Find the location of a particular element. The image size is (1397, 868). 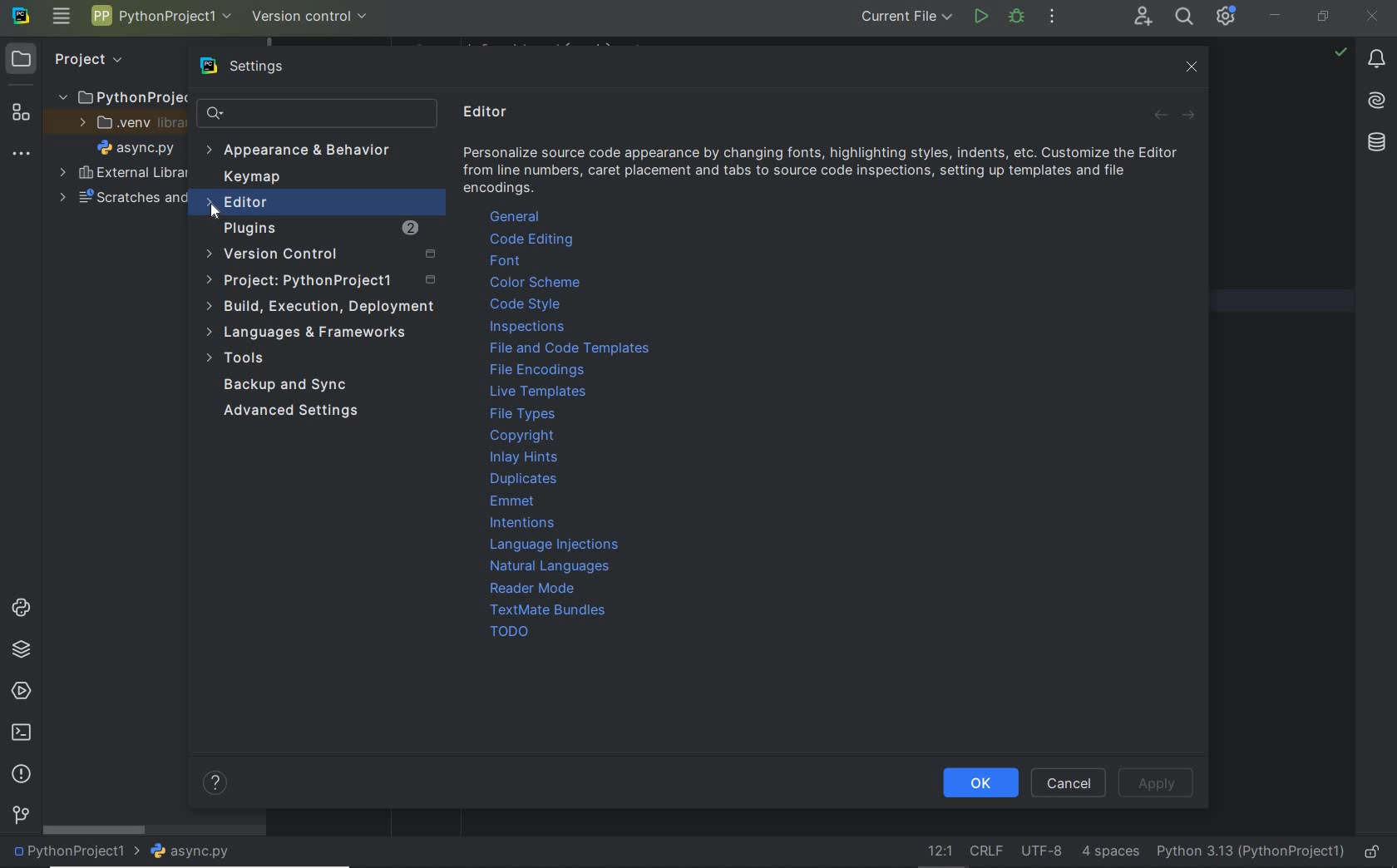

make file ready only is located at coordinates (1375, 852).